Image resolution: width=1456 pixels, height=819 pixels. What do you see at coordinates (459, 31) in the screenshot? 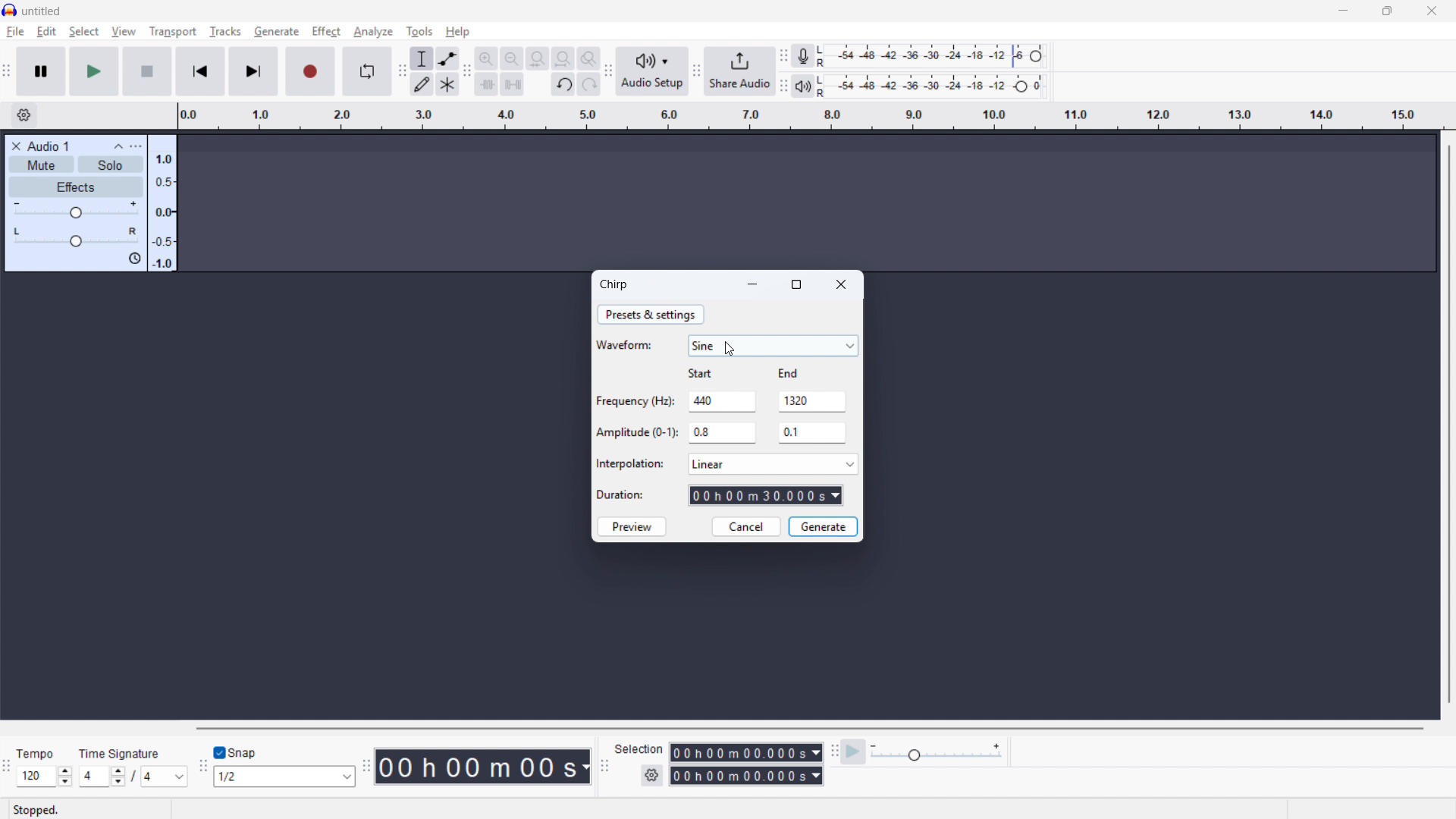
I see `help ` at bounding box center [459, 31].